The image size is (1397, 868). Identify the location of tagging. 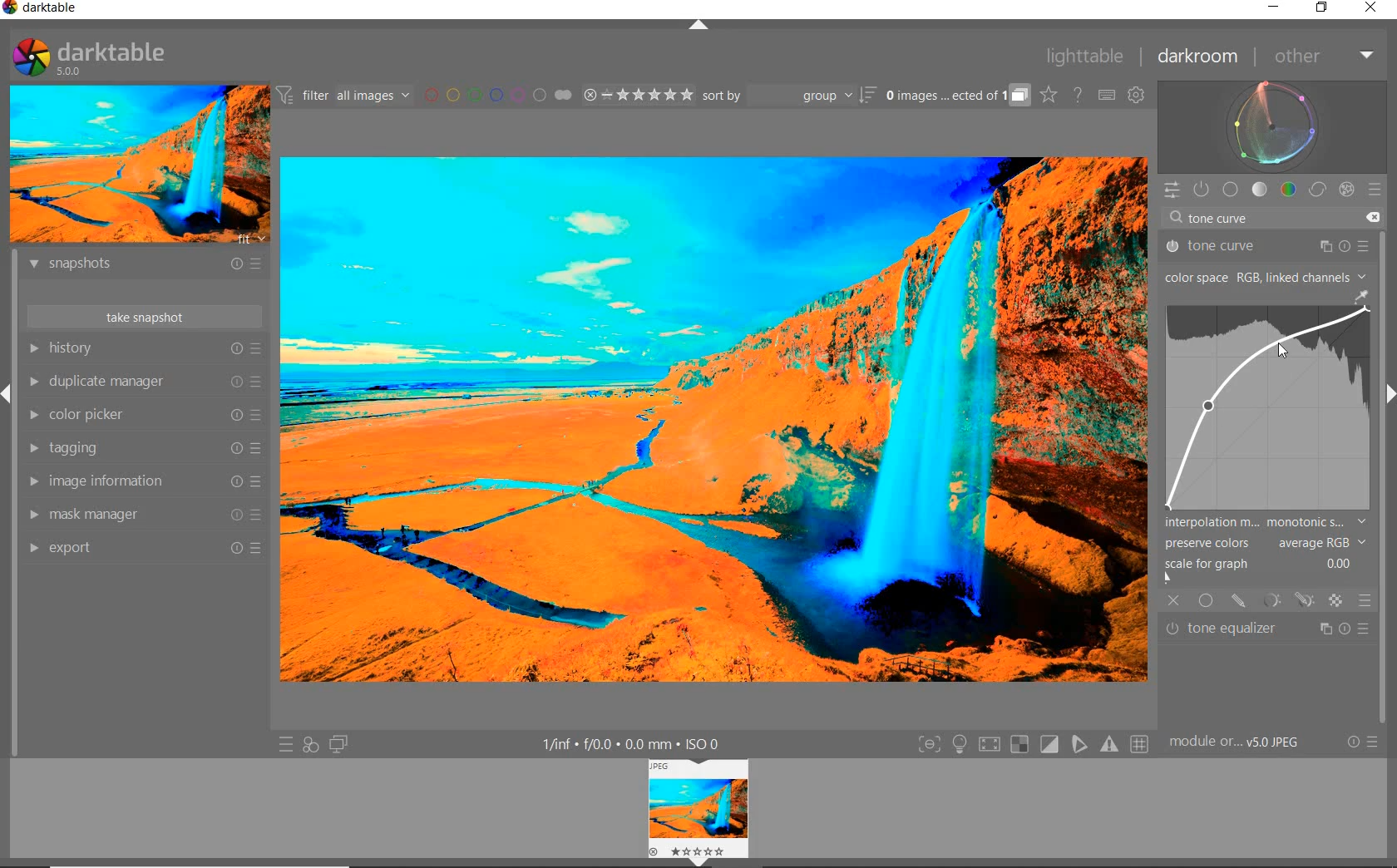
(144, 448).